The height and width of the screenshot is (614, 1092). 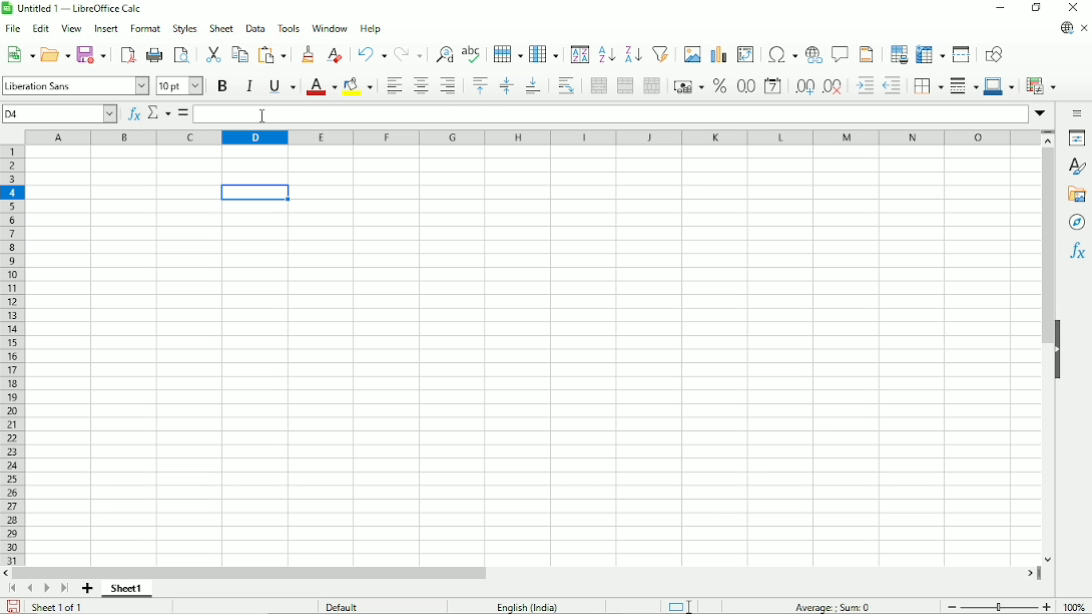 What do you see at coordinates (719, 54) in the screenshot?
I see `Insert chart` at bounding box center [719, 54].